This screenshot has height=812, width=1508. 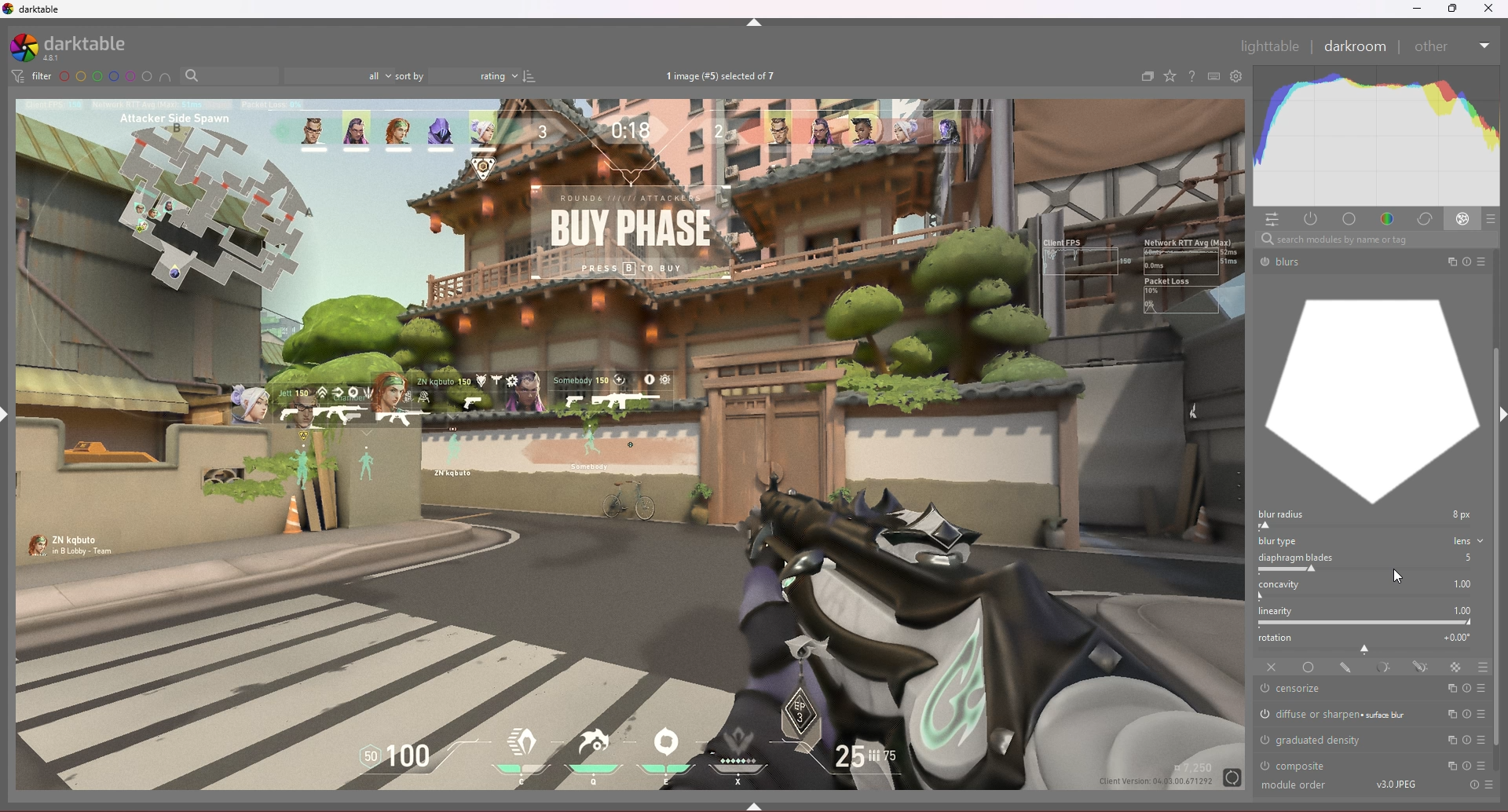 I want to click on multi instances actions, so click(x=1449, y=689).